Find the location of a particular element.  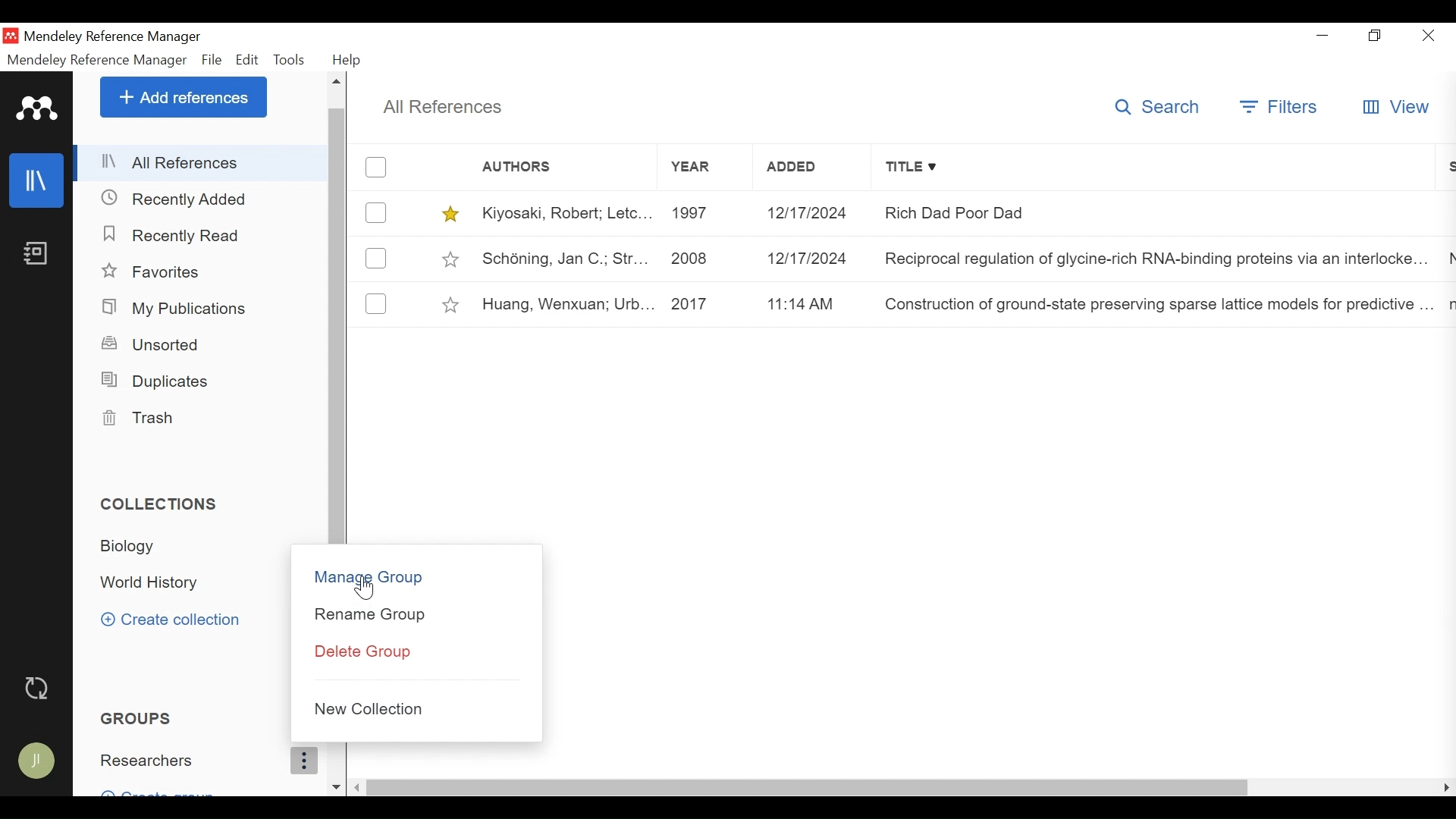

1997 is located at coordinates (704, 214).